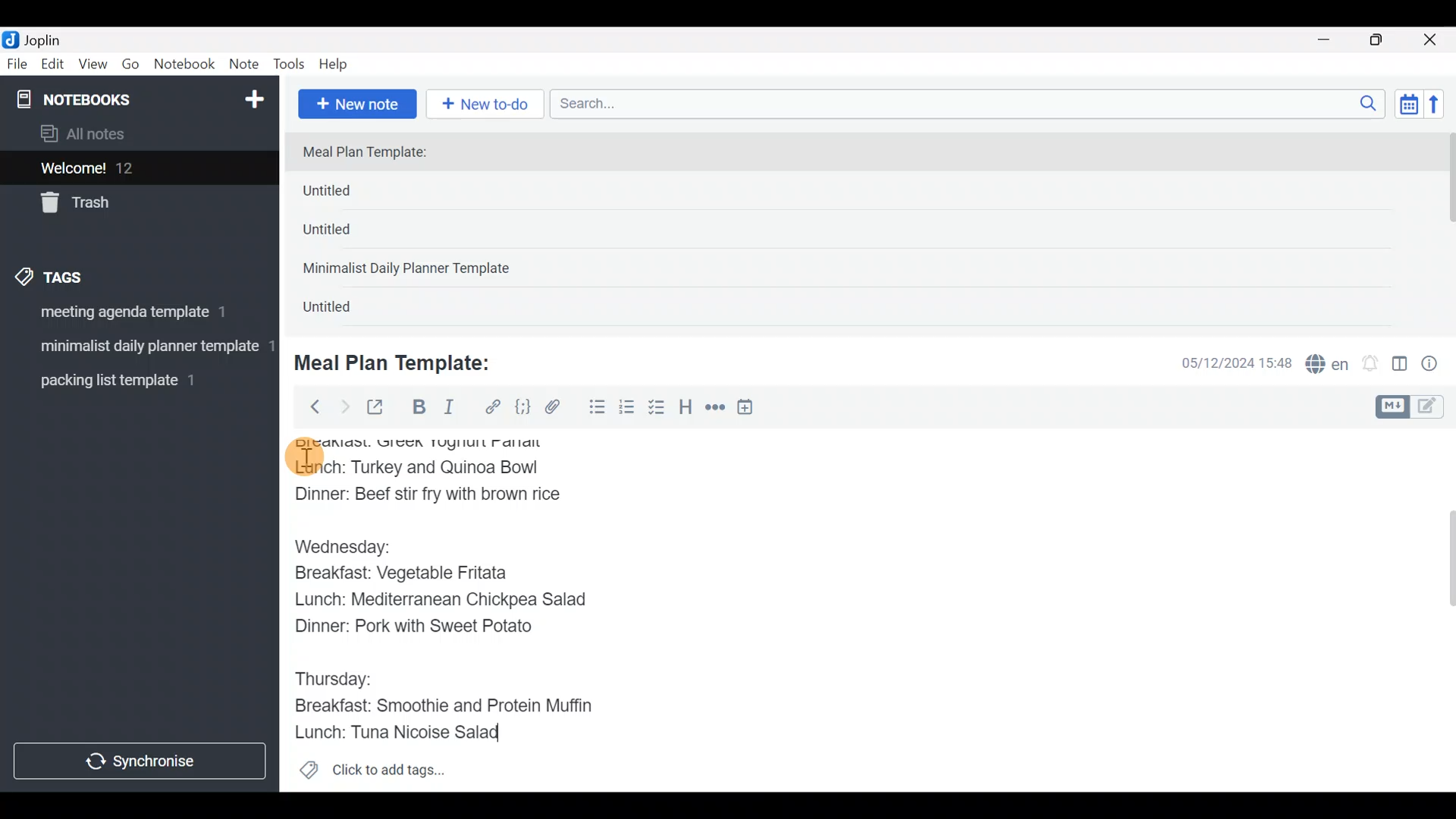 The width and height of the screenshot is (1456, 819). Describe the element at coordinates (1408, 105) in the screenshot. I see `Toggle sort order` at that location.